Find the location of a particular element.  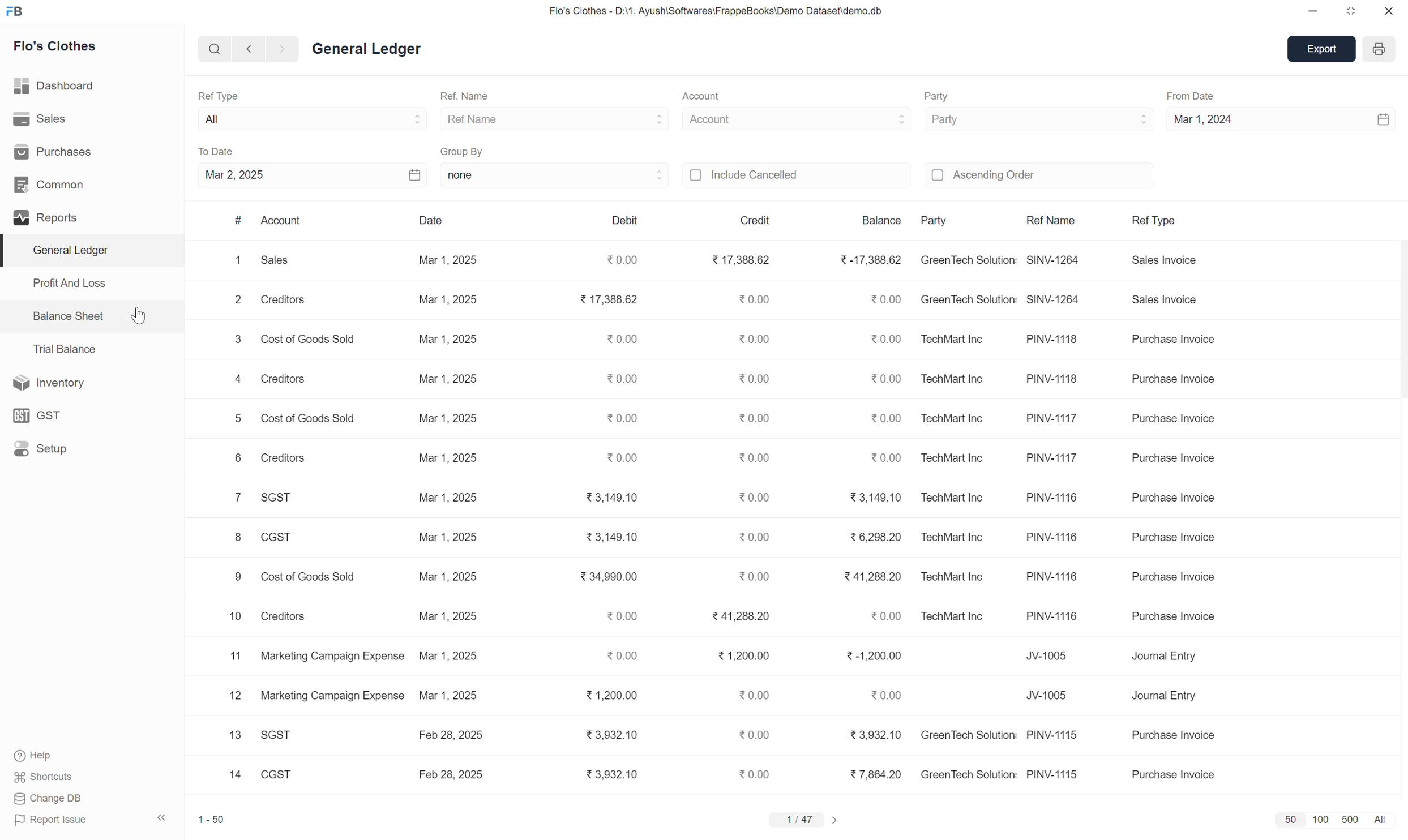

7 is located at coordinates (238, 496).